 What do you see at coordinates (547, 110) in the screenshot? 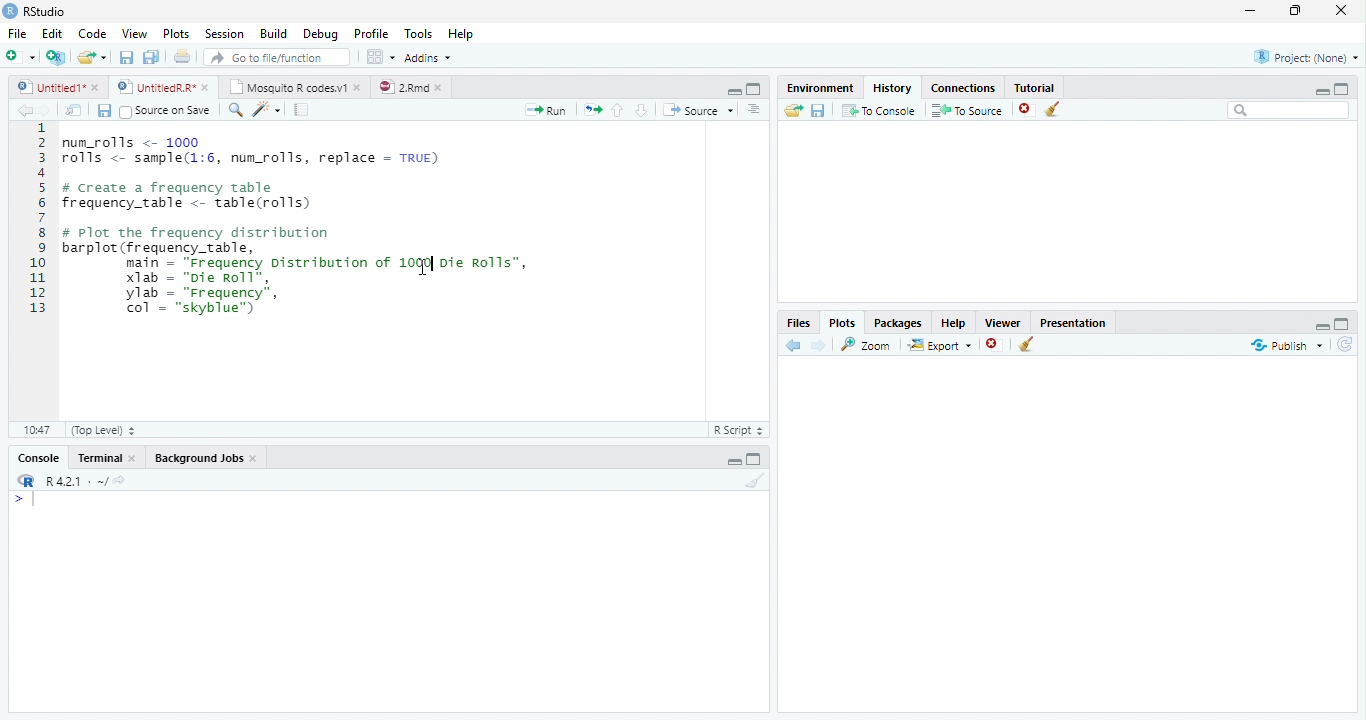
I see `Run` at bounding box center [547, 110].